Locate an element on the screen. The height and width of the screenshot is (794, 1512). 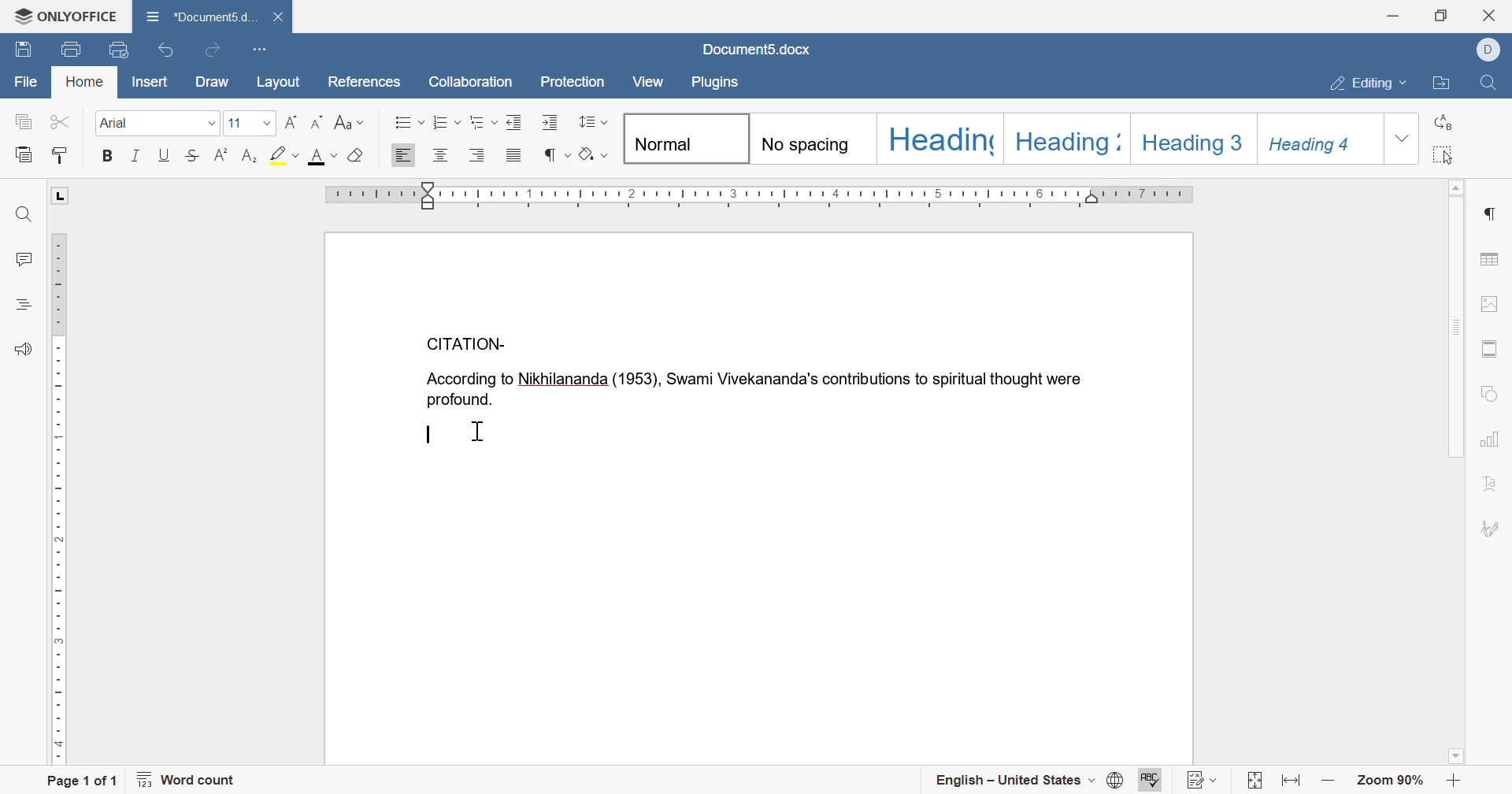
superscript is located at coordinates (221, 154).